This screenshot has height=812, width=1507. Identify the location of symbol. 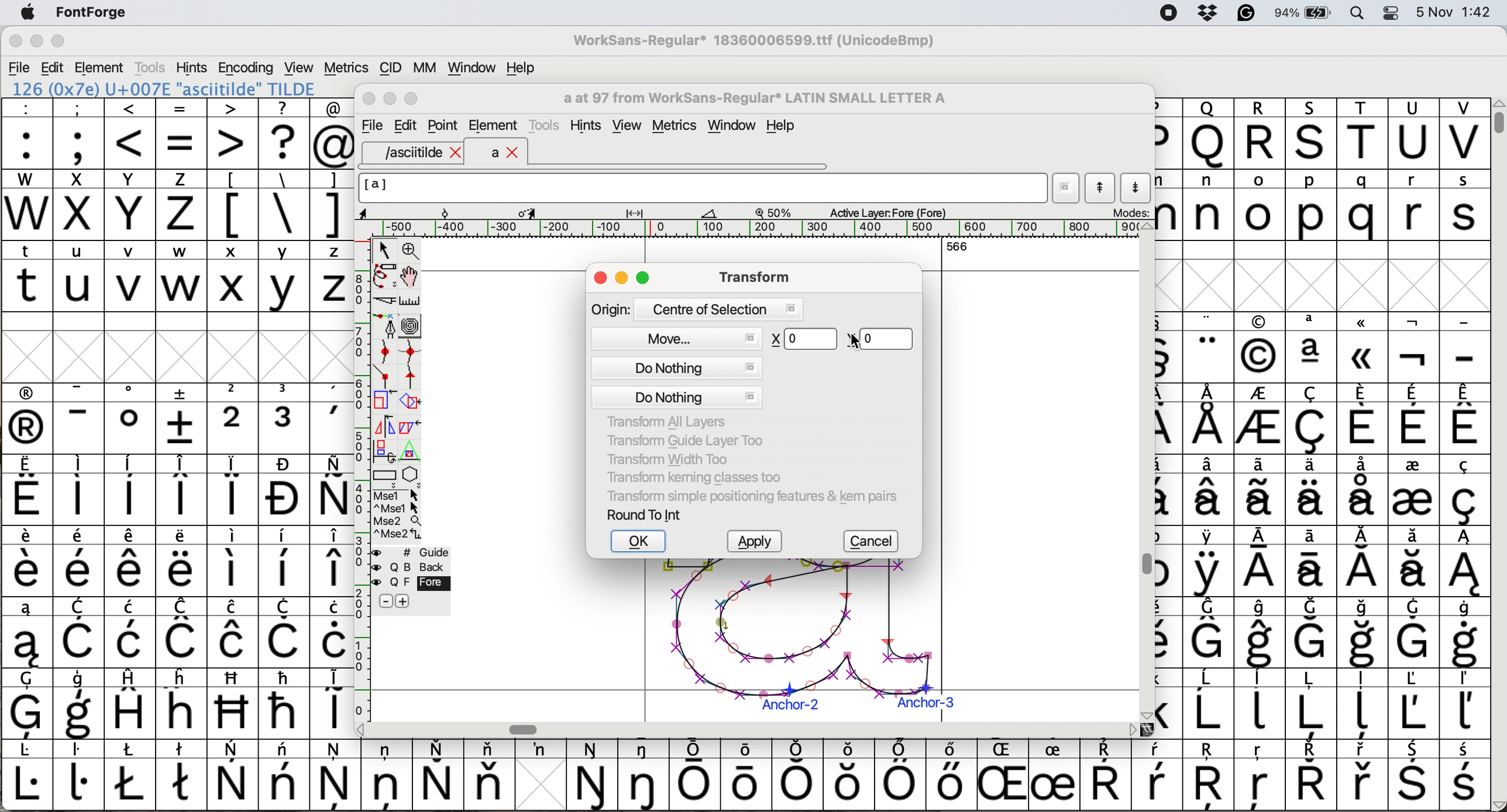
(27, 776).